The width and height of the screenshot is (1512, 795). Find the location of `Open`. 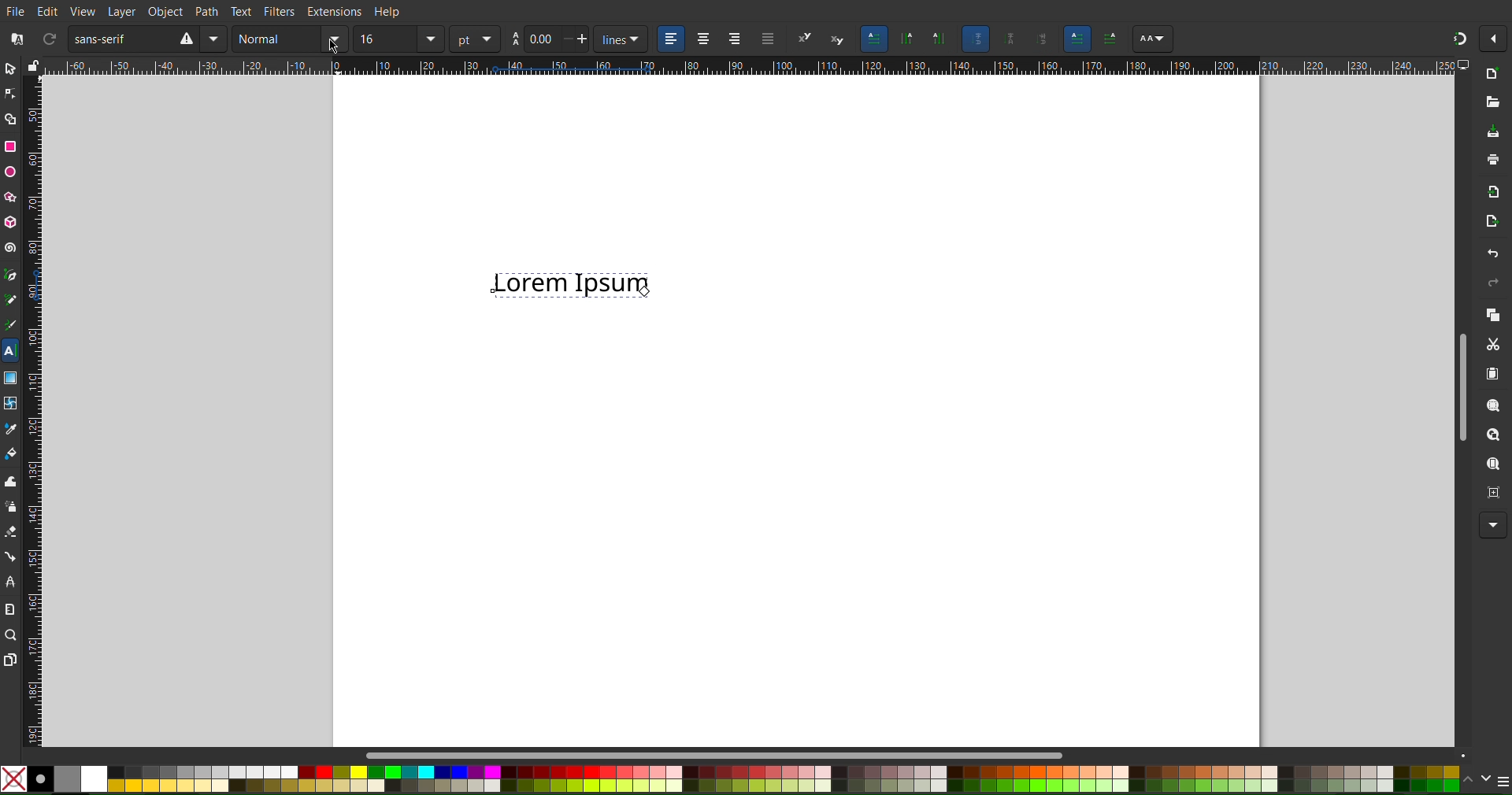

Open is located at coordinates (1492, 102).